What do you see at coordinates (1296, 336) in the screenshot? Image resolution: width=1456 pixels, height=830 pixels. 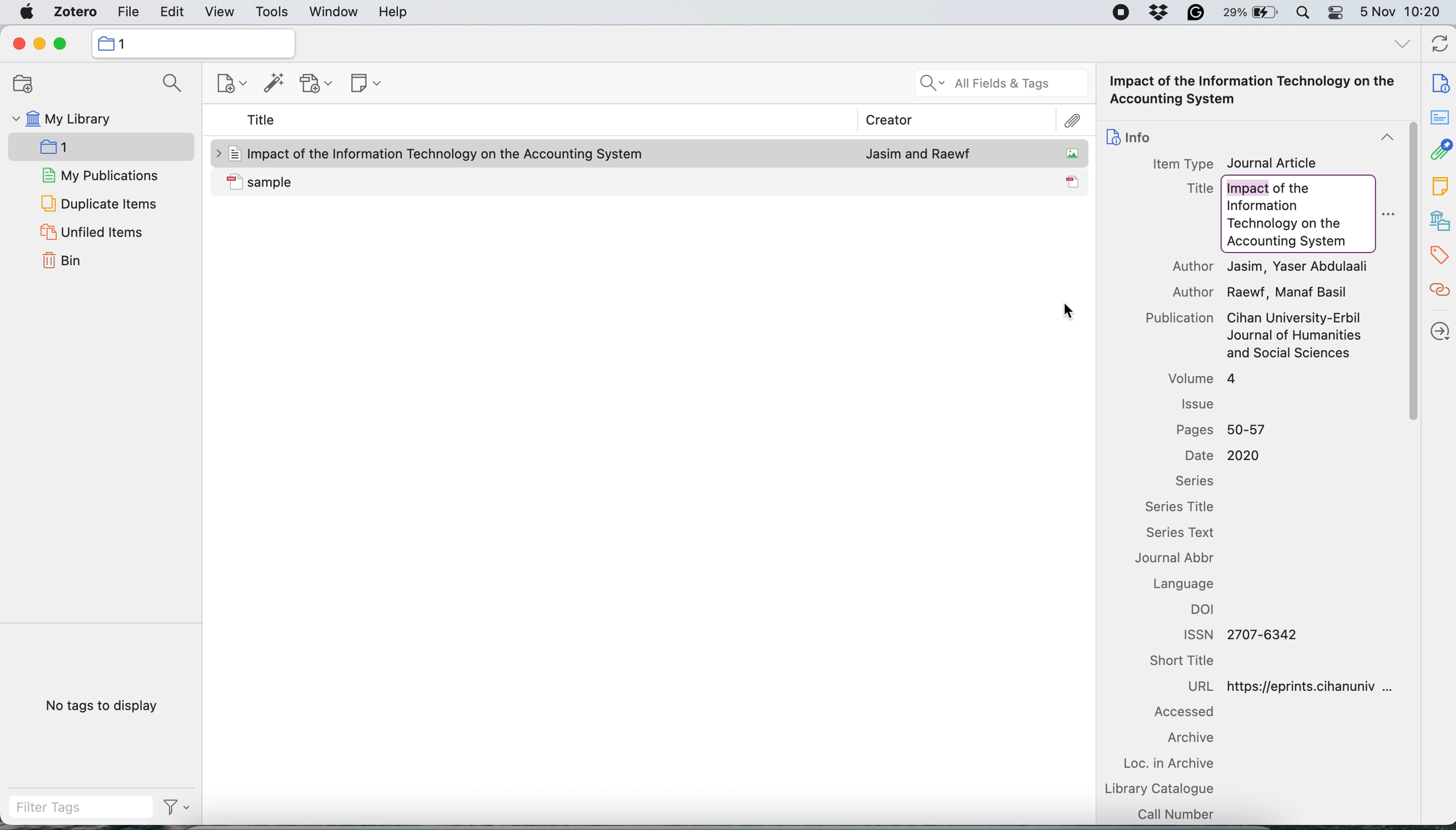 I see `Cihan University-Erbil Journal of Humanities and Social Sciences` at bounding box center [1296, 336].